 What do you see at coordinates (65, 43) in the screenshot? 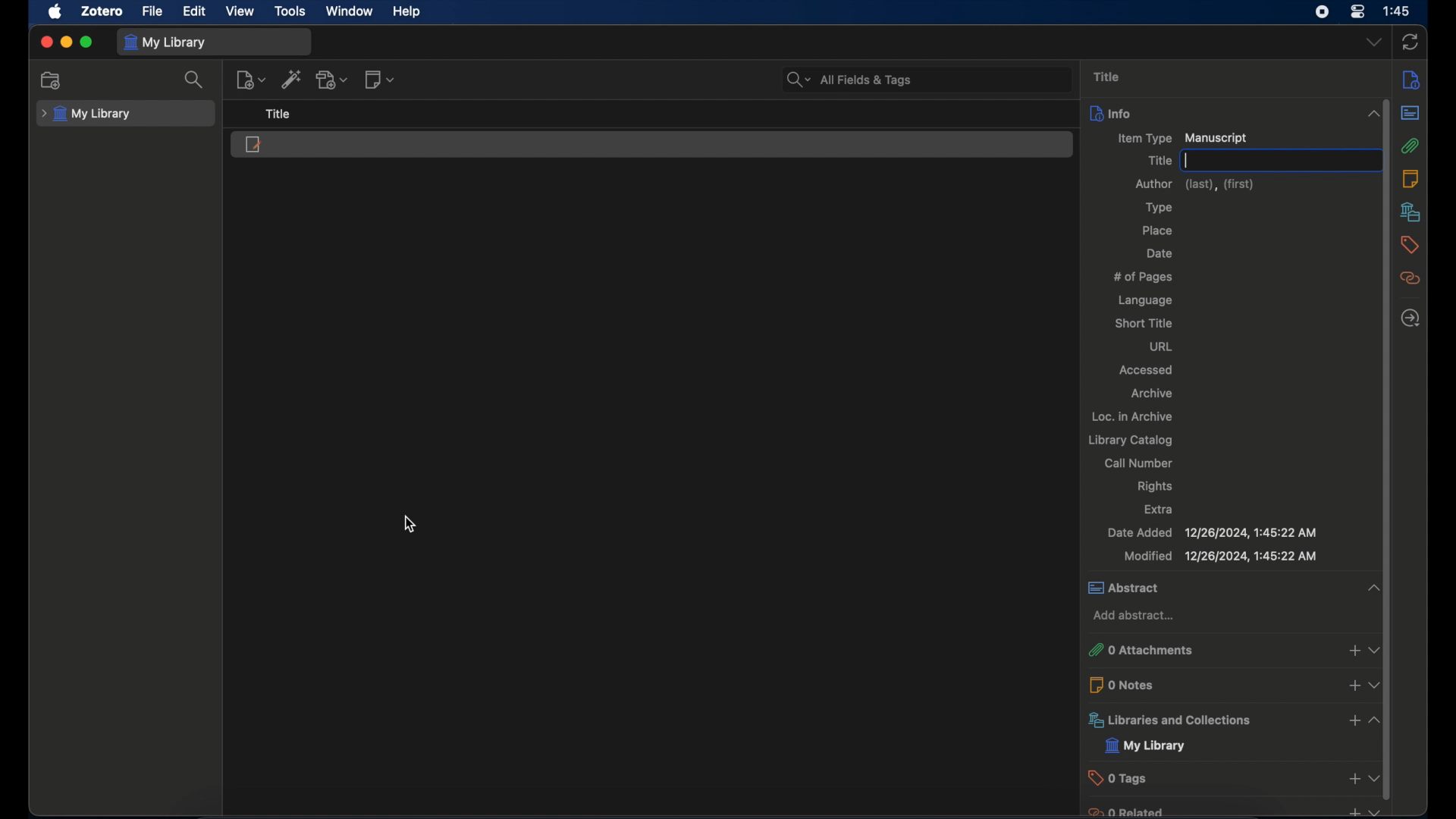
I see `minimize` at bounding box center [65, 43].